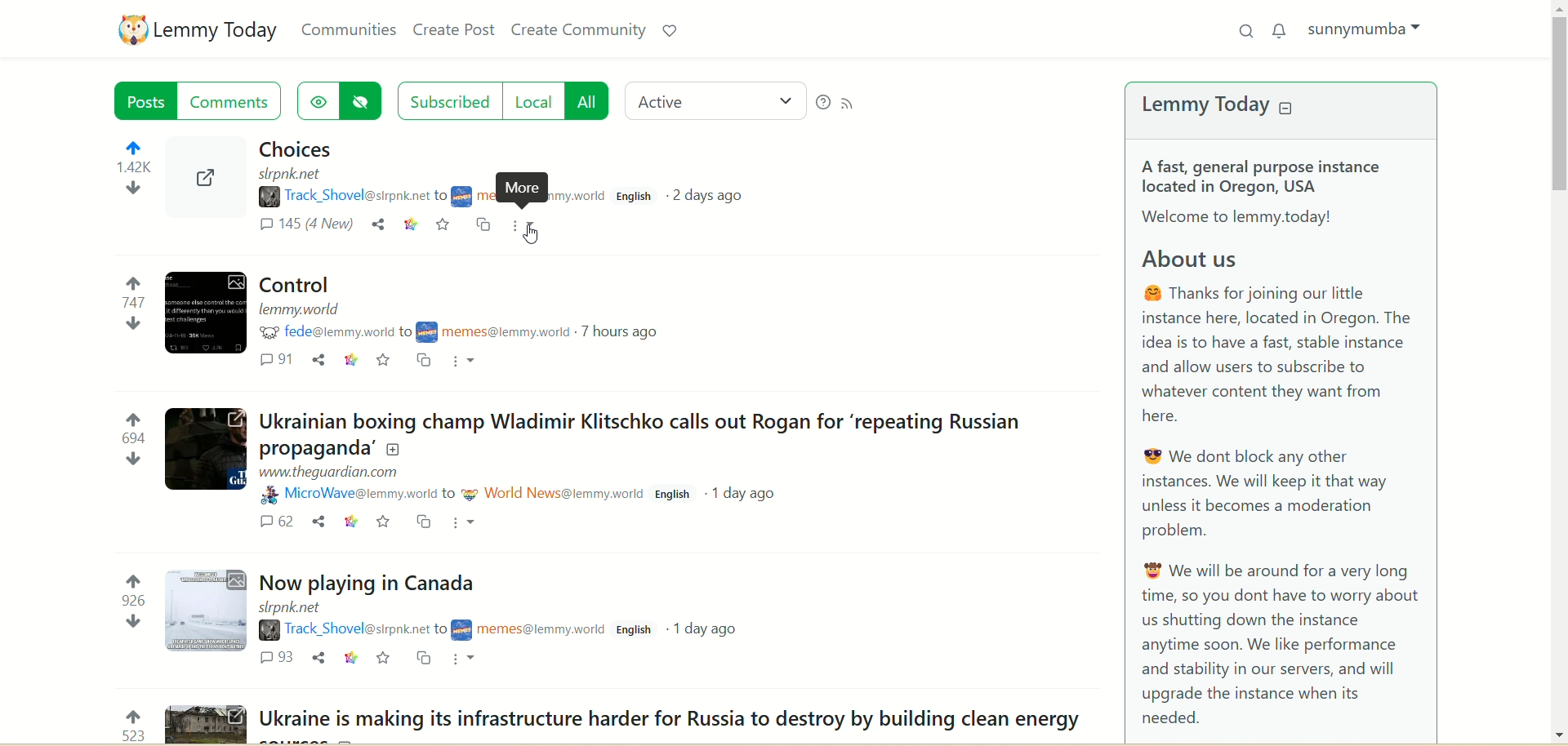 Image resolution: width=1568 pixels, height=746 pixels. I want to click on show hidden posts, so click(315, 102).